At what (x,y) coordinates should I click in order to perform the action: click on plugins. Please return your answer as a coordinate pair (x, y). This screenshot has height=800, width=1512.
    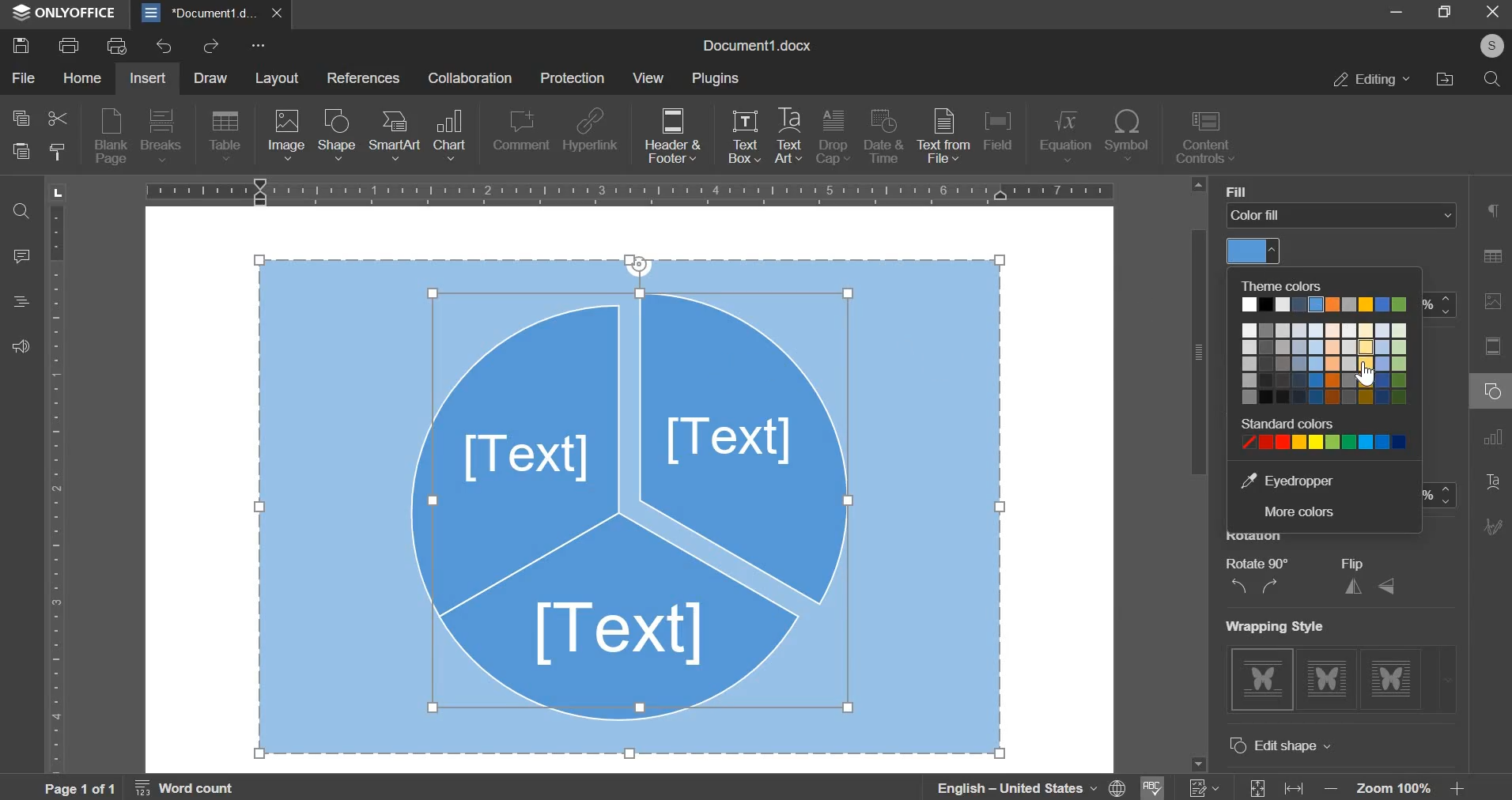
    Looking at the image, I should click on (717, 79).